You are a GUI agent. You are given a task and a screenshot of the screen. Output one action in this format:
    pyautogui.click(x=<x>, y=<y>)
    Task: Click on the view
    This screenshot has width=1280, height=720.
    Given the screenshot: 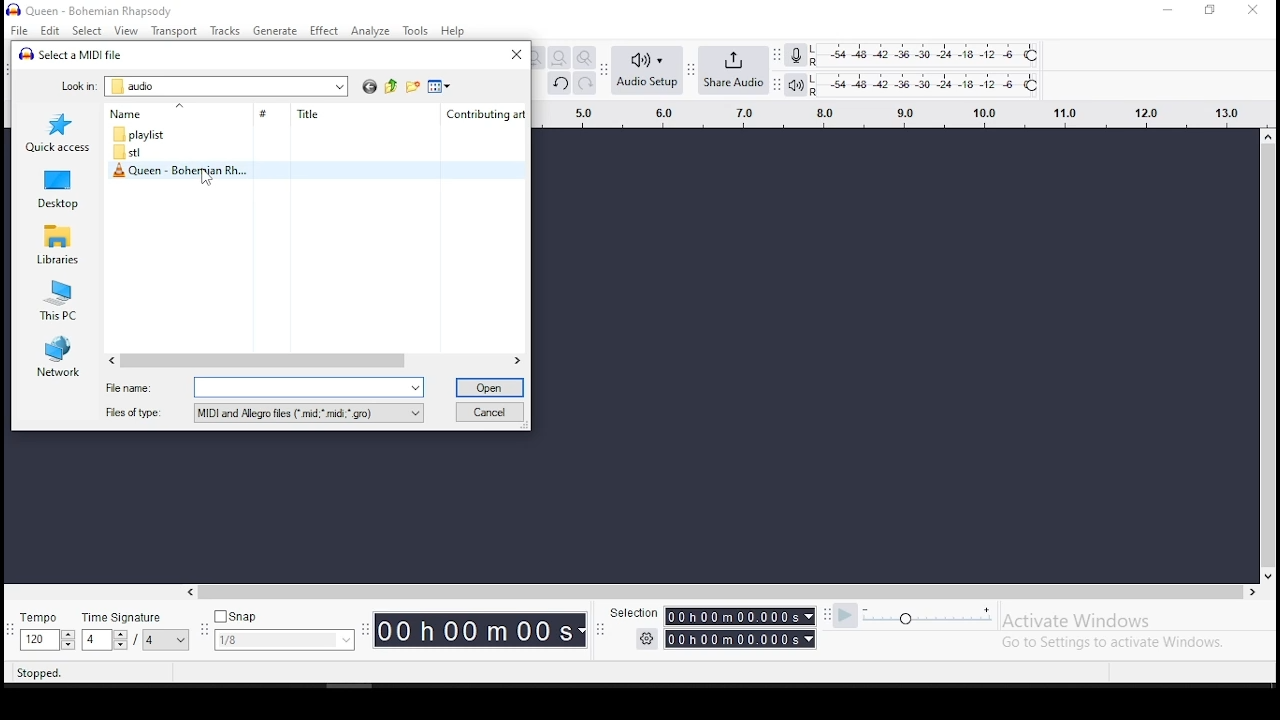 What is the action you would take?
    pyautogui.click(x=127, y=31)
    